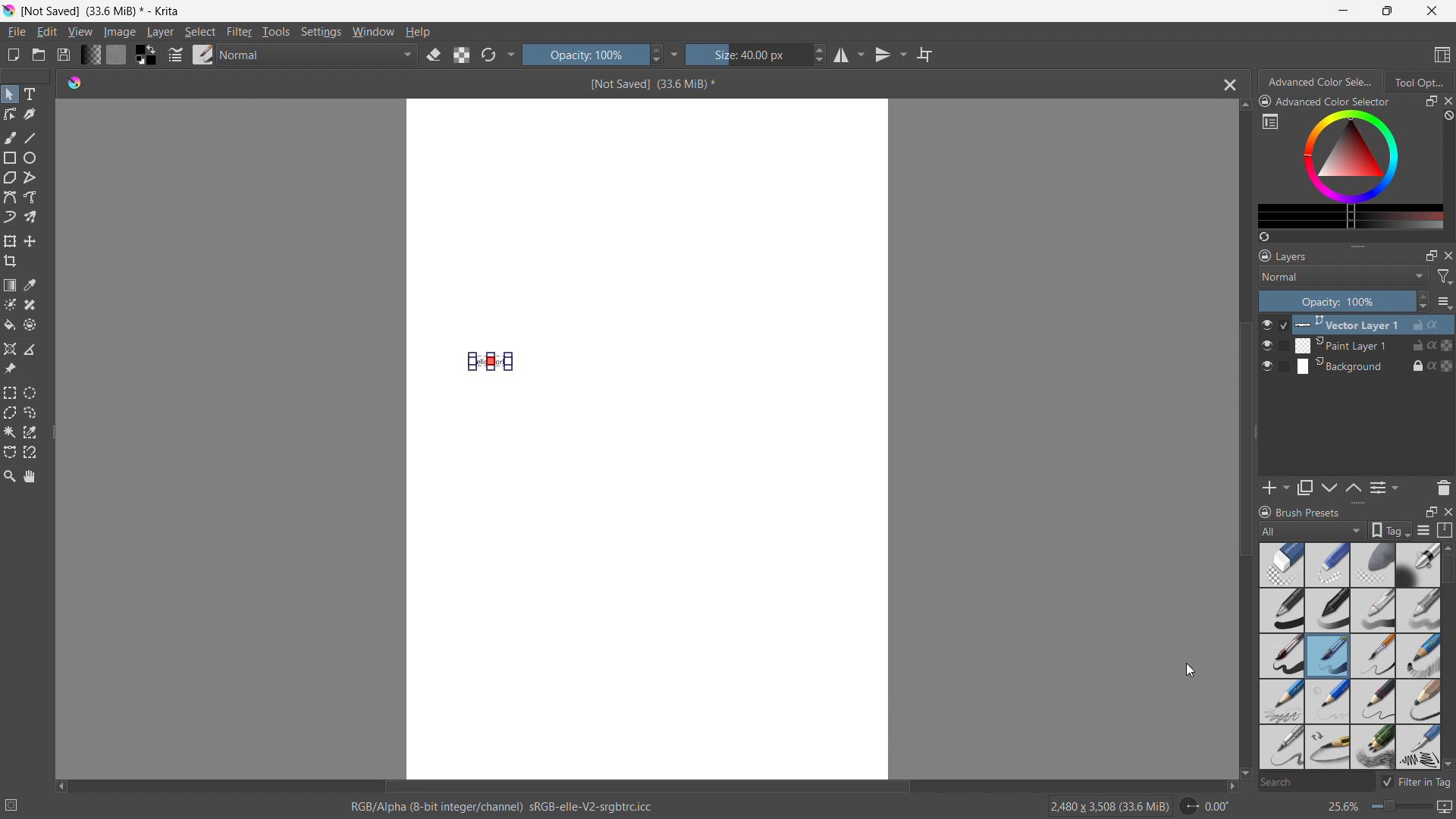 The width and height of the screenshot is (1456, 819). What do you see at coordinates (1241, 439) in the screenshot?
I see `vertical scrollbar` at bounding box center [1241, 439].